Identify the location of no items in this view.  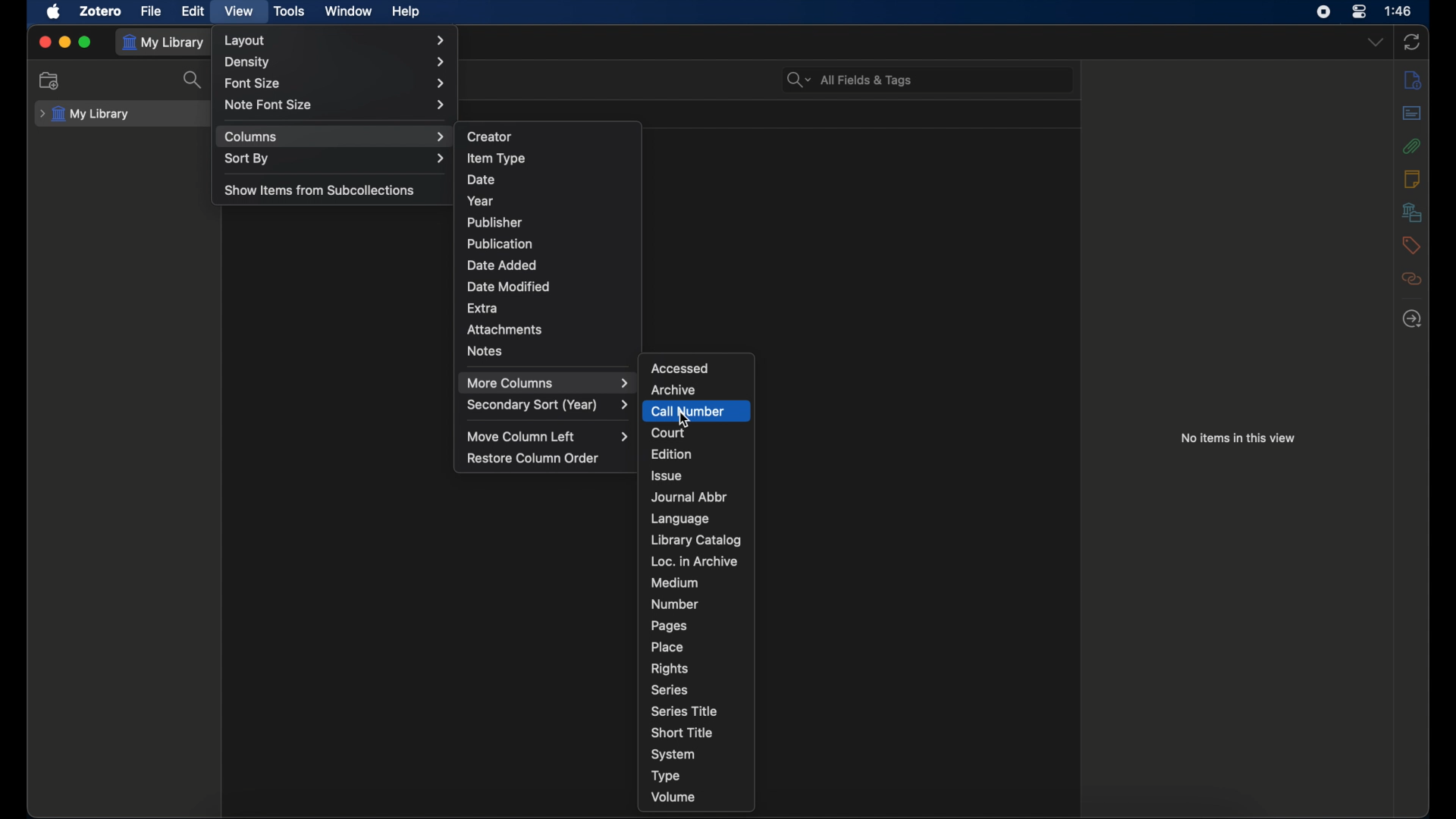
(1238, 438).